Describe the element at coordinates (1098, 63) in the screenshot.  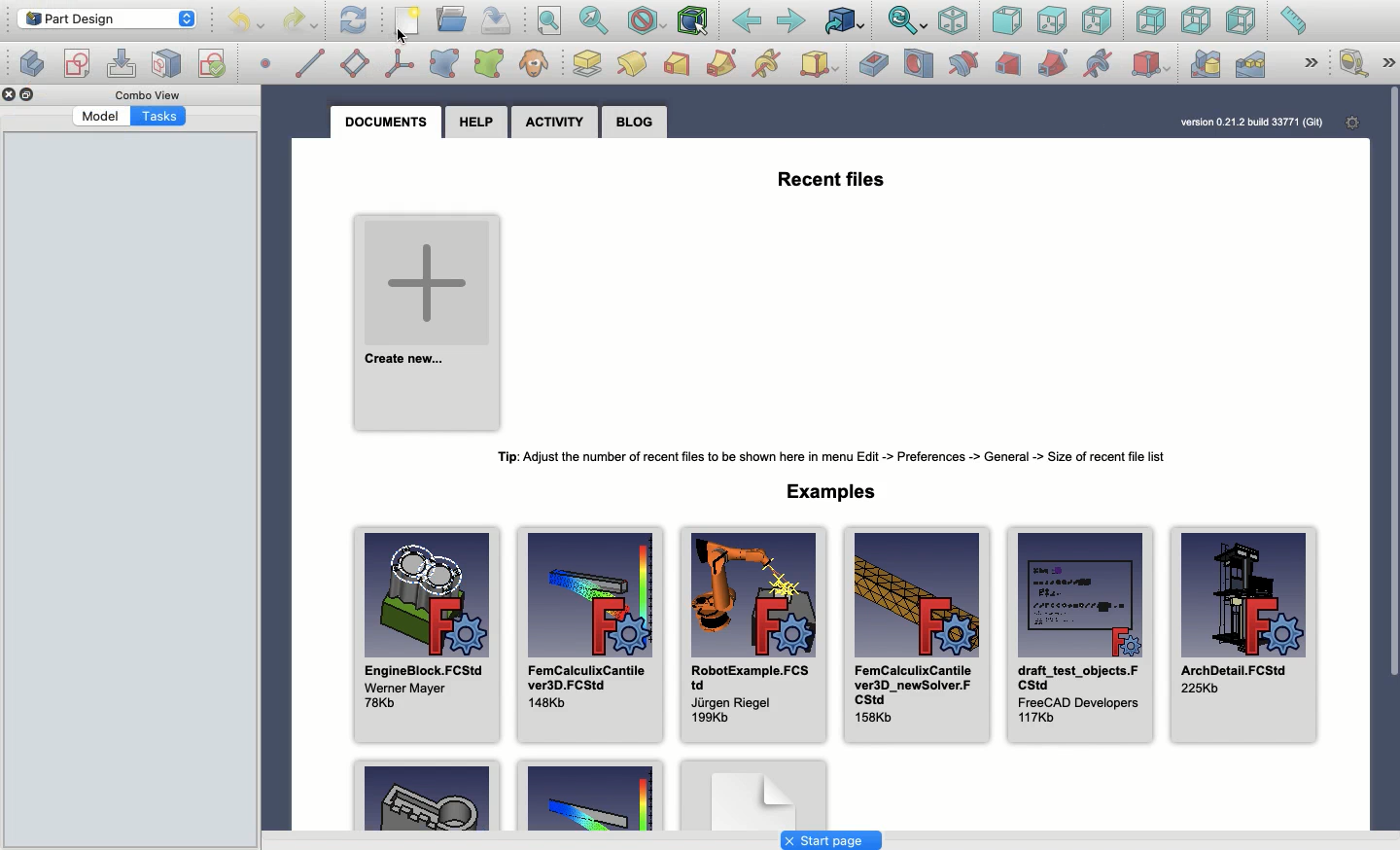
I see `Subtractive helix` at that location.